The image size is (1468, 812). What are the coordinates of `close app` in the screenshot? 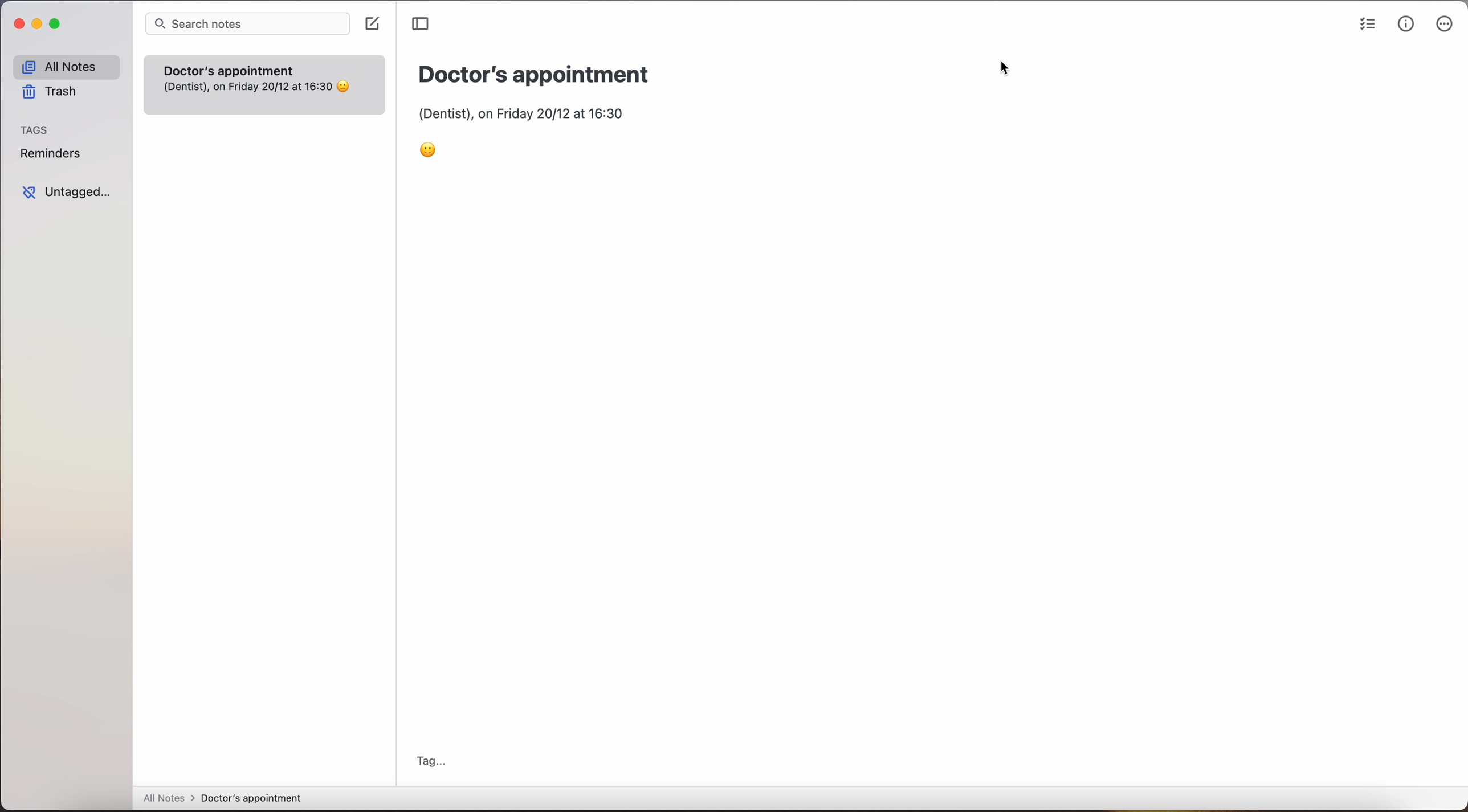 It's located at (17, 23).